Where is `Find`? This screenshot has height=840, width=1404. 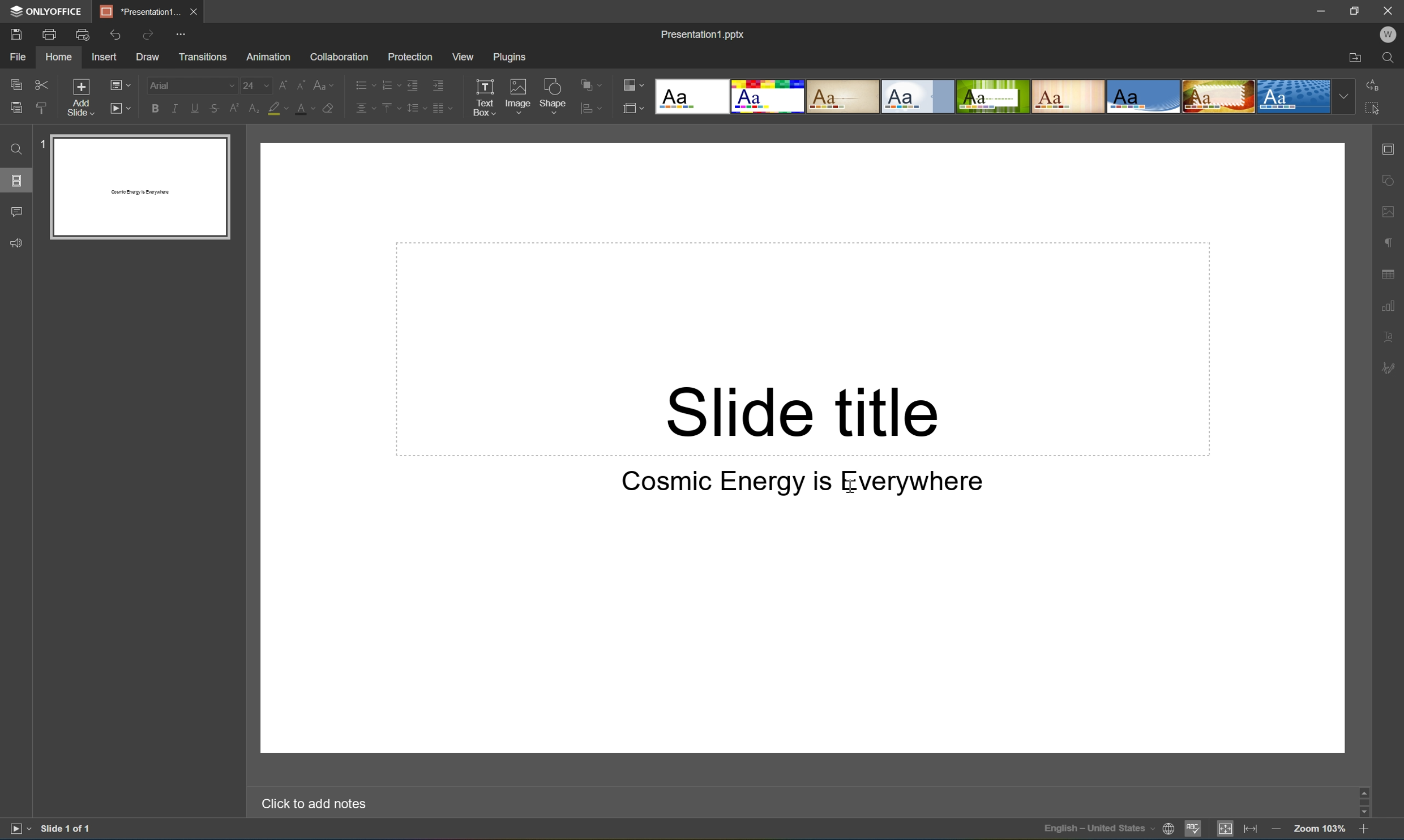 Find is located at coordinates (1390, 59).